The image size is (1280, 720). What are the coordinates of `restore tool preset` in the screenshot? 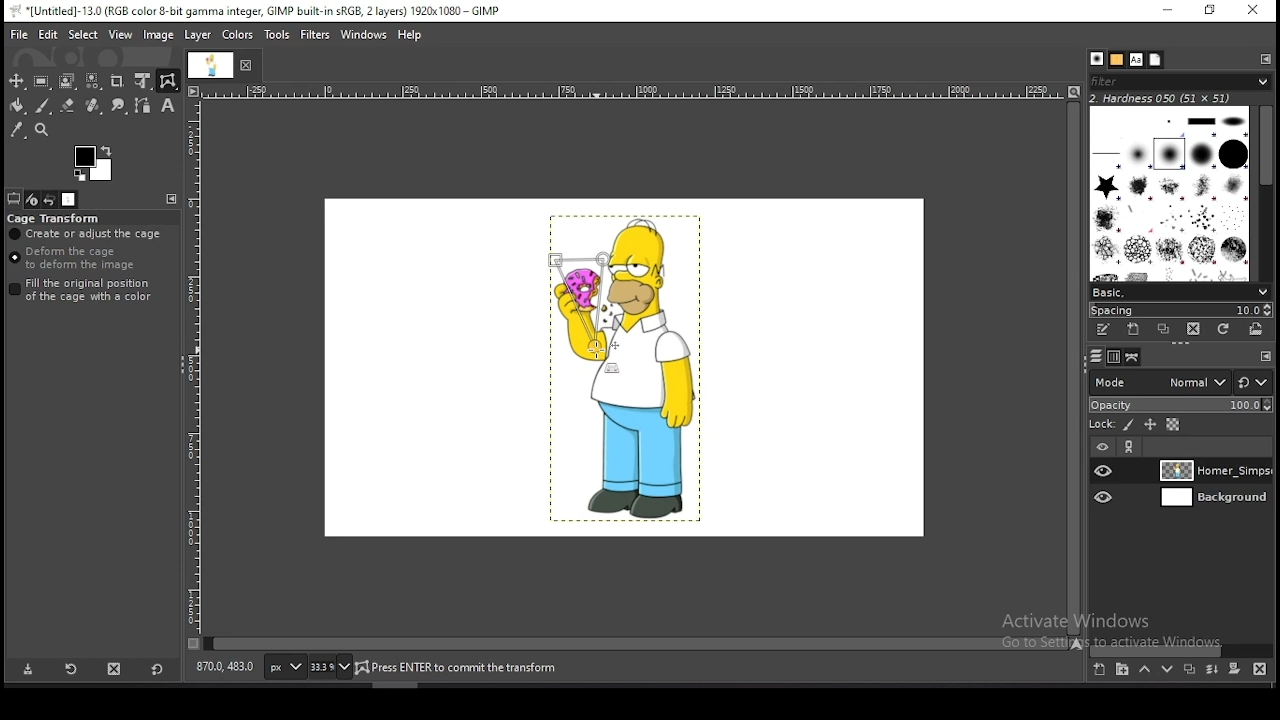 It's located at (72, 670).